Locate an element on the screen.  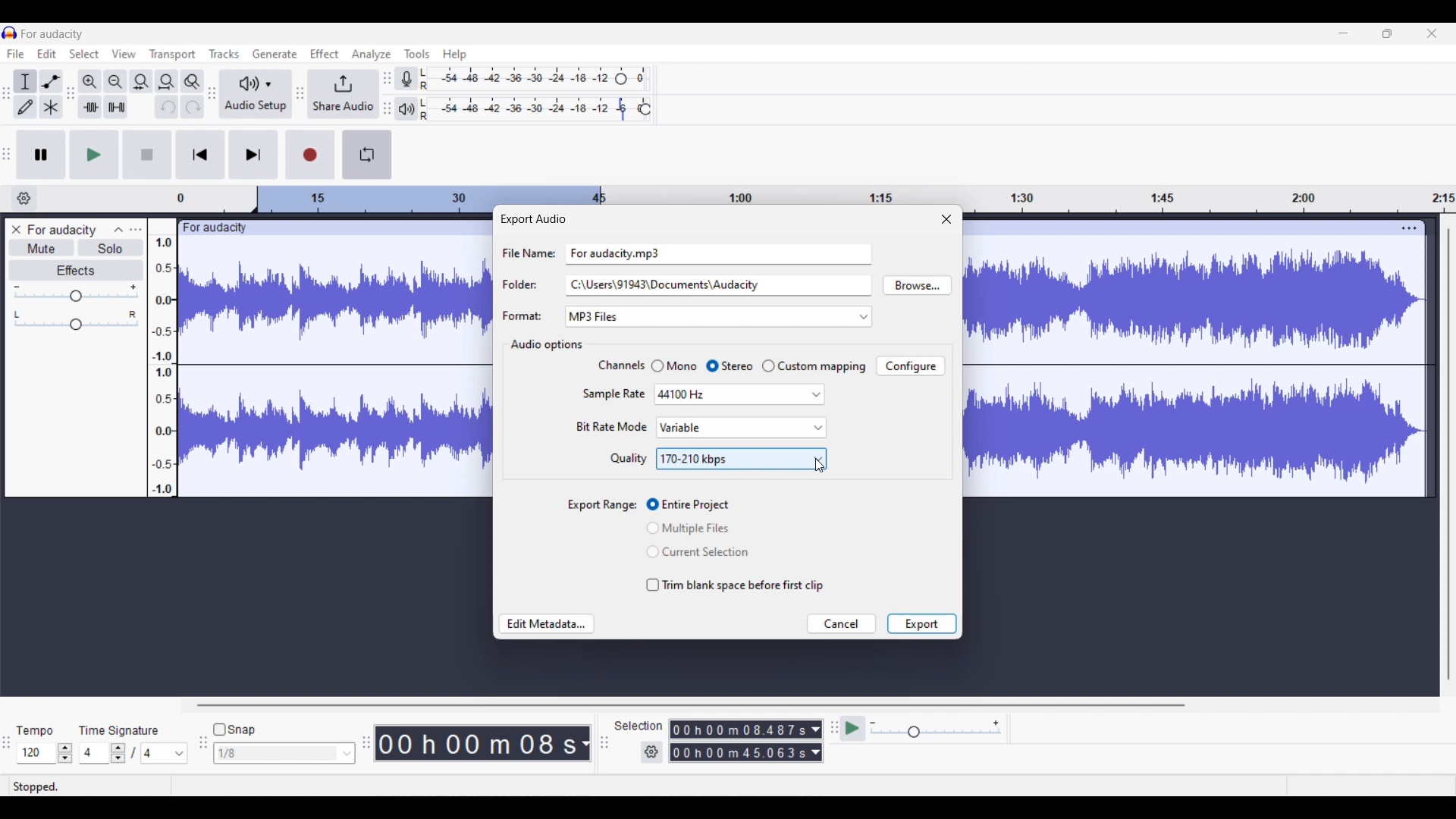
Volume scale is located at coordinates (76, 293).